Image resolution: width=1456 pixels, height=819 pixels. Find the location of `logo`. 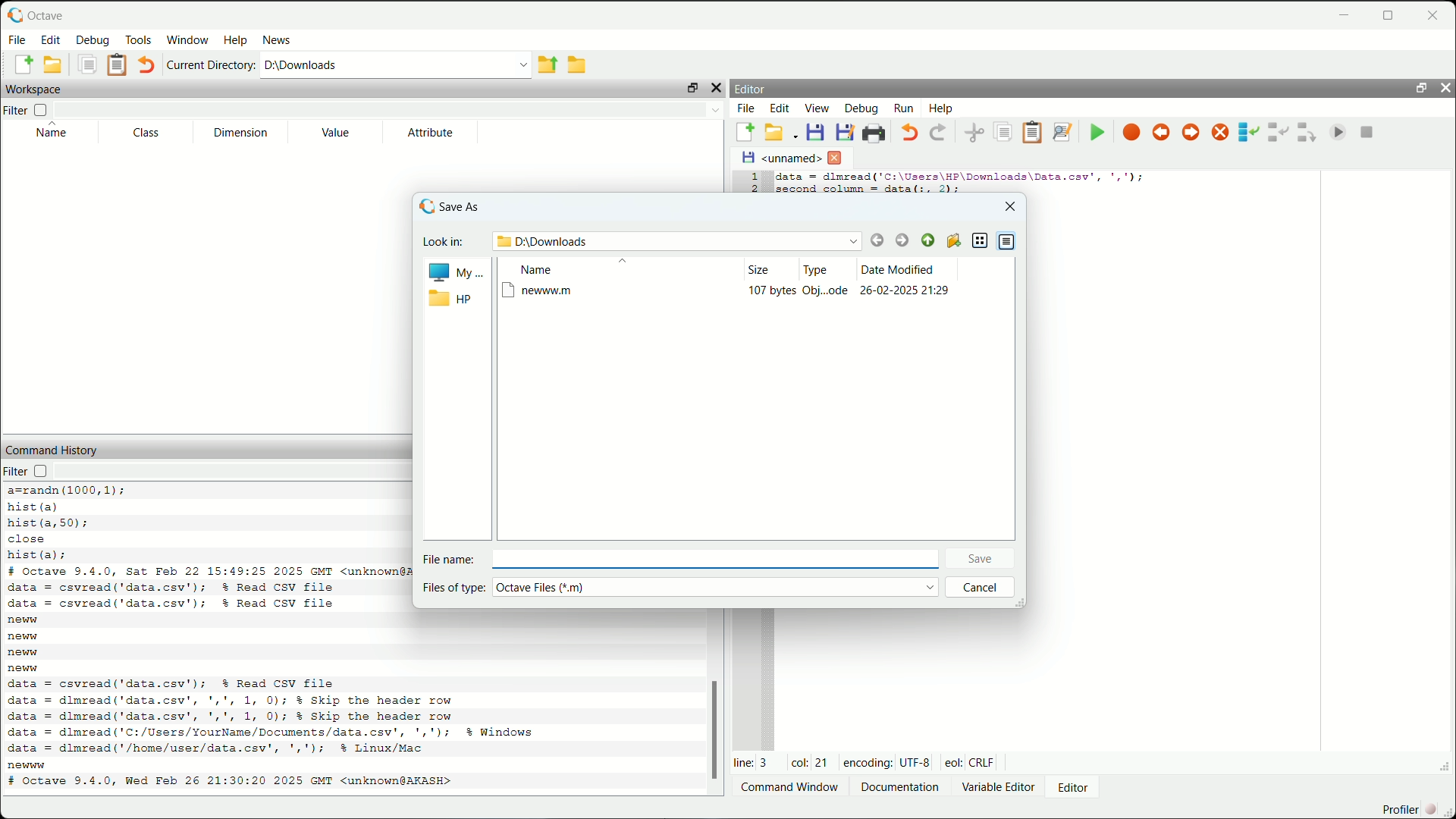

logo is located at coordinates (425, 206).